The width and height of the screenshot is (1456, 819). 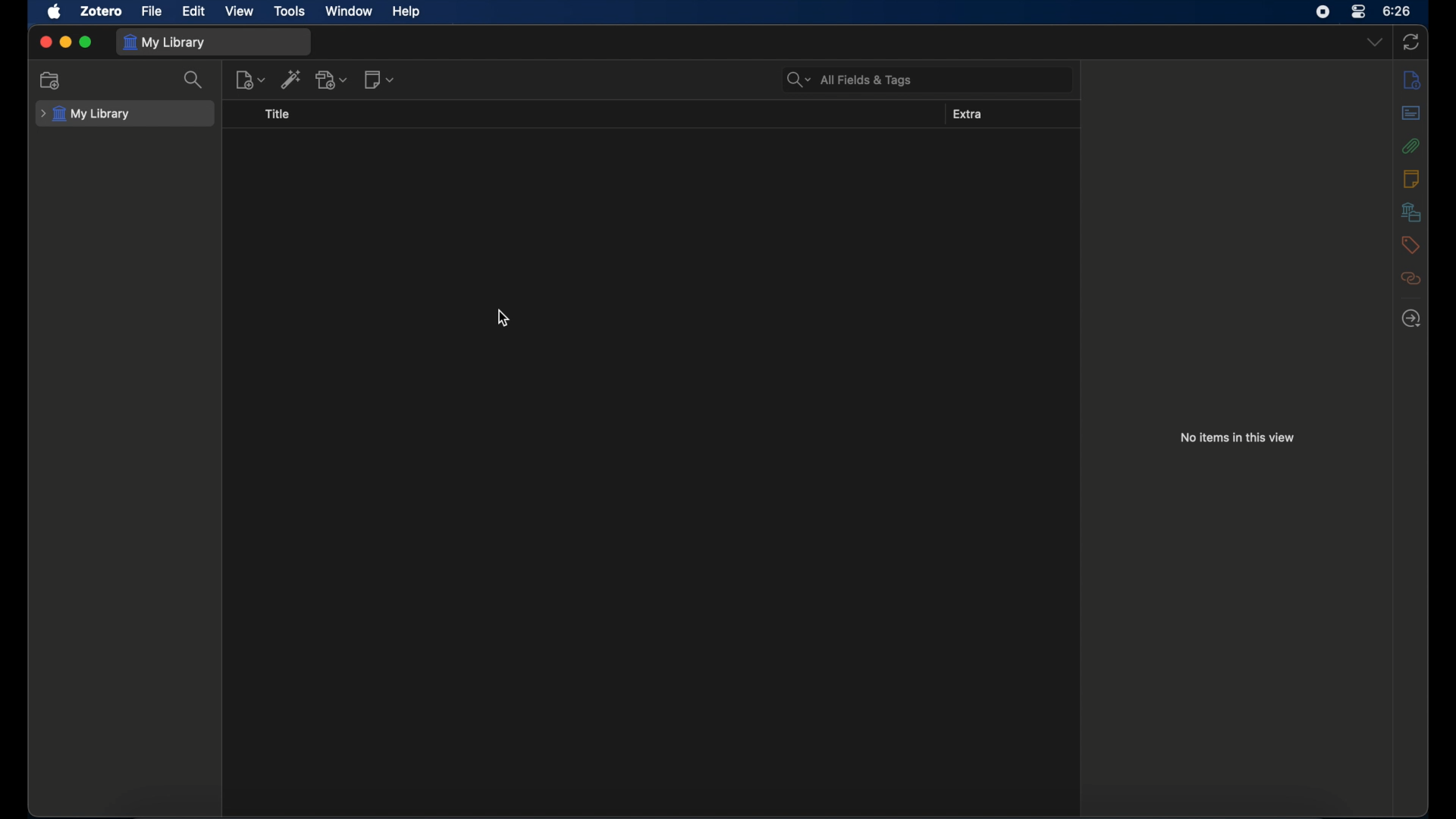 What do you see at coordinates (278, 114) in the screenshot?
I see `title` at bounding box center [278, 114].